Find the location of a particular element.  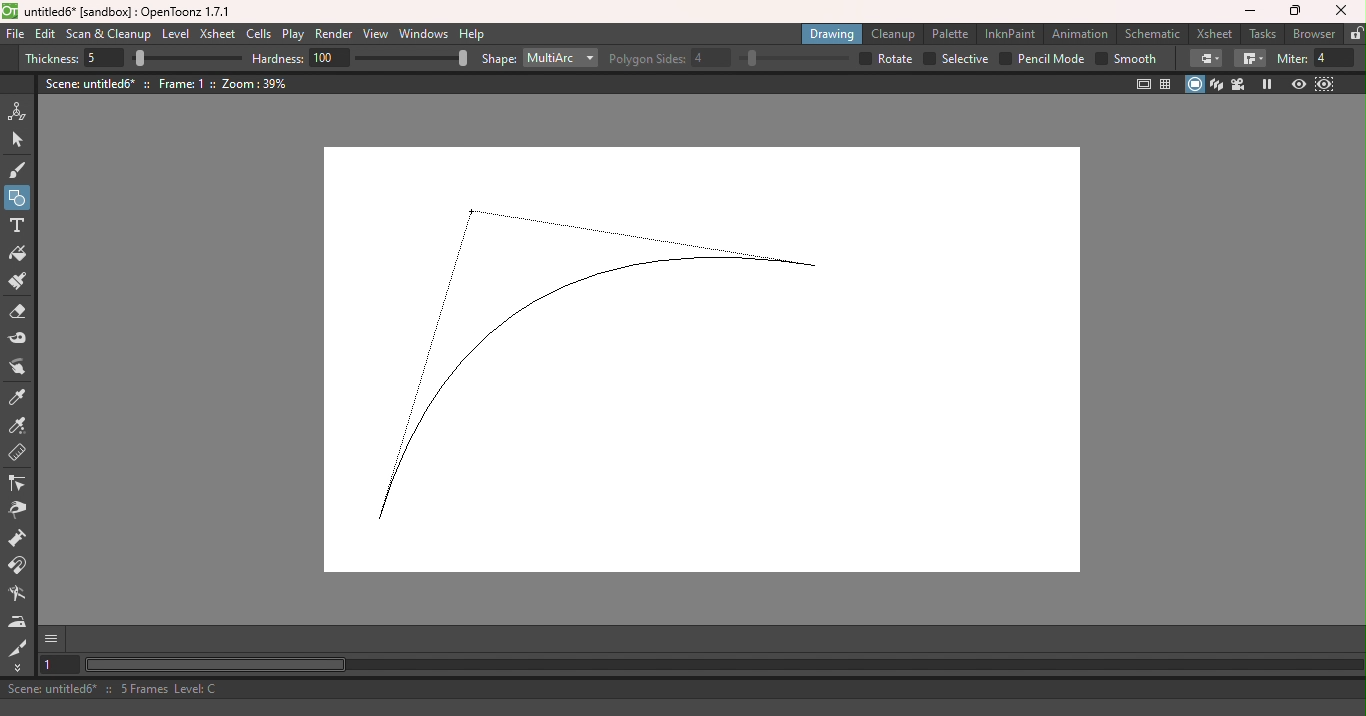

Cutter tool is located at coordinates (15, 646).